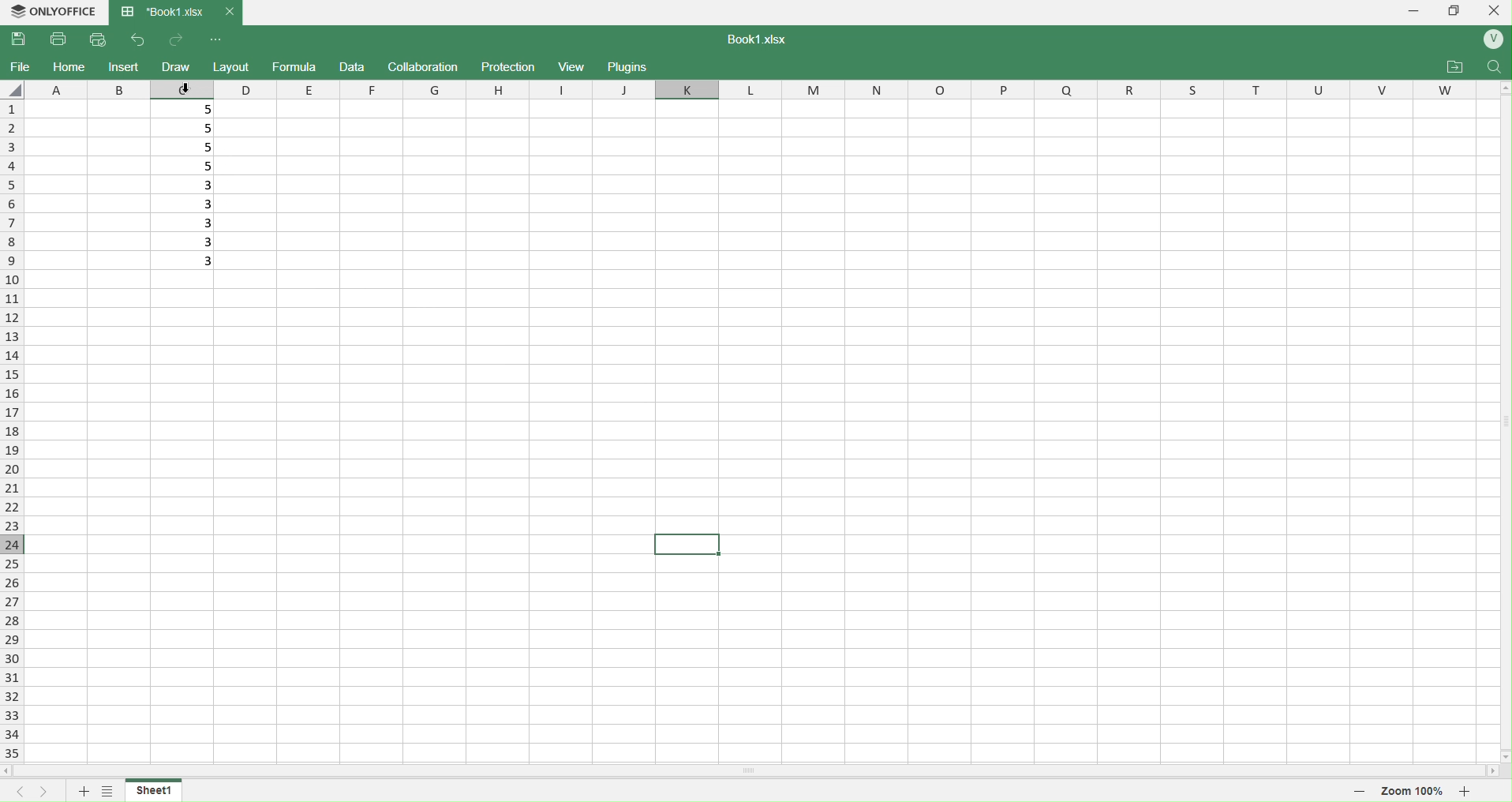  Describe the element at coordinates (1465, 791) in the screenshot. I see `zoom in` at that location.